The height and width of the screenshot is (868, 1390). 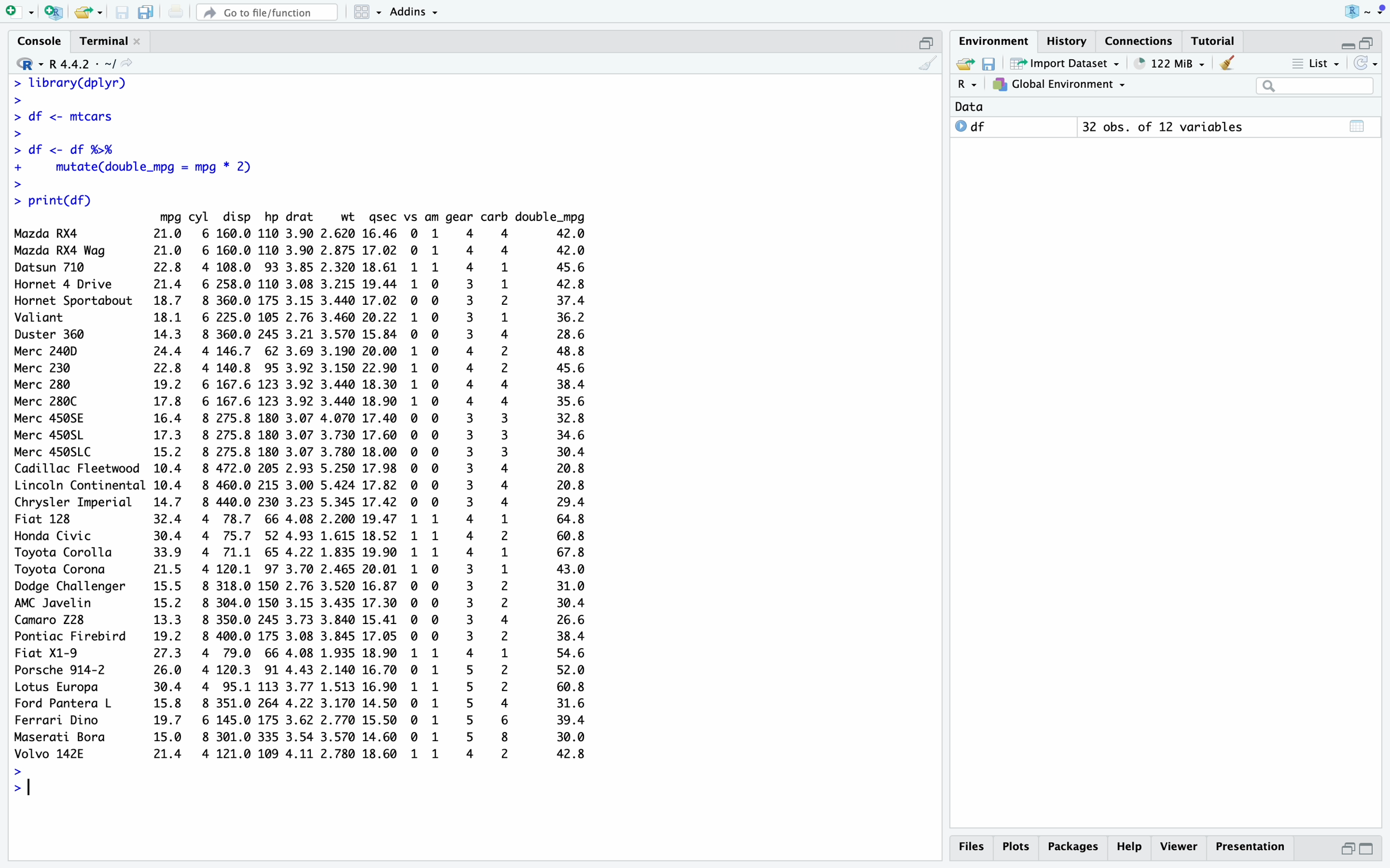 What do you see at coordinates (82, 65) in the screenshot?
I see `R 4.4.2 ~/` at bounding box center [82, 65].